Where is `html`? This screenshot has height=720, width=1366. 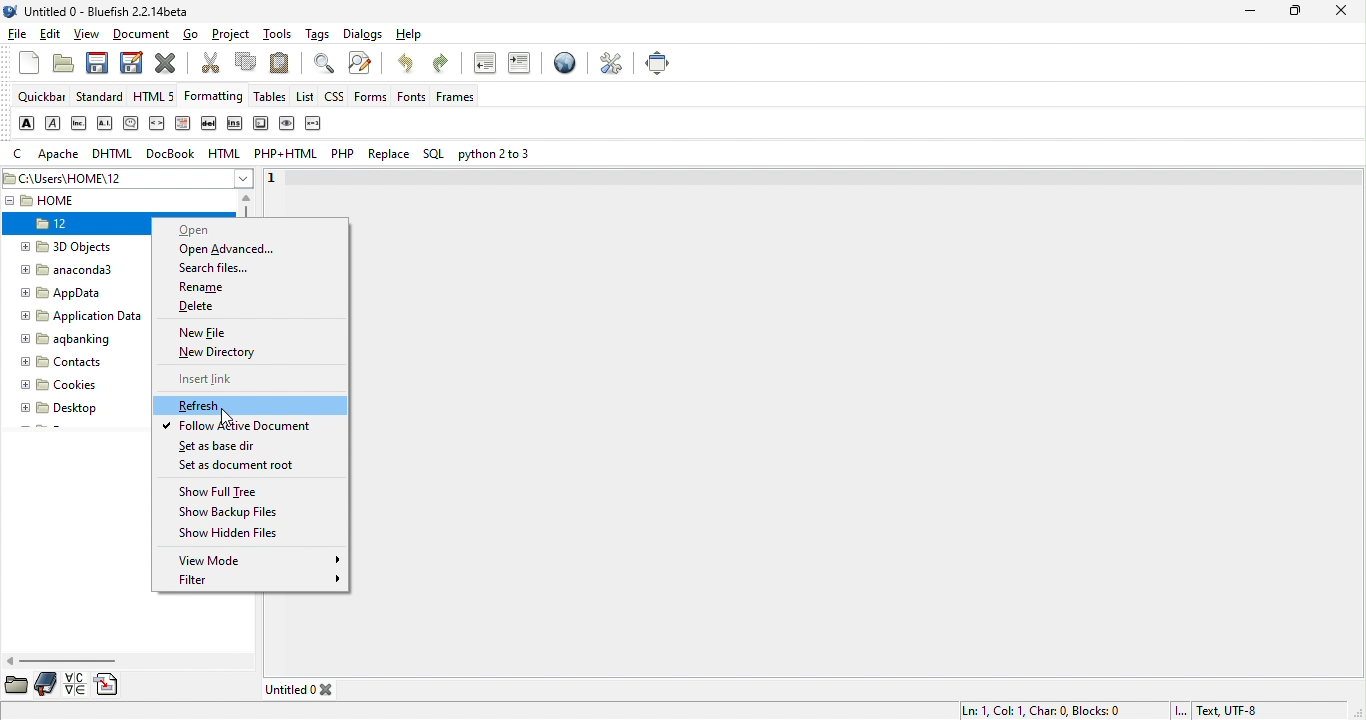
html is located at coordinates (224, 154).